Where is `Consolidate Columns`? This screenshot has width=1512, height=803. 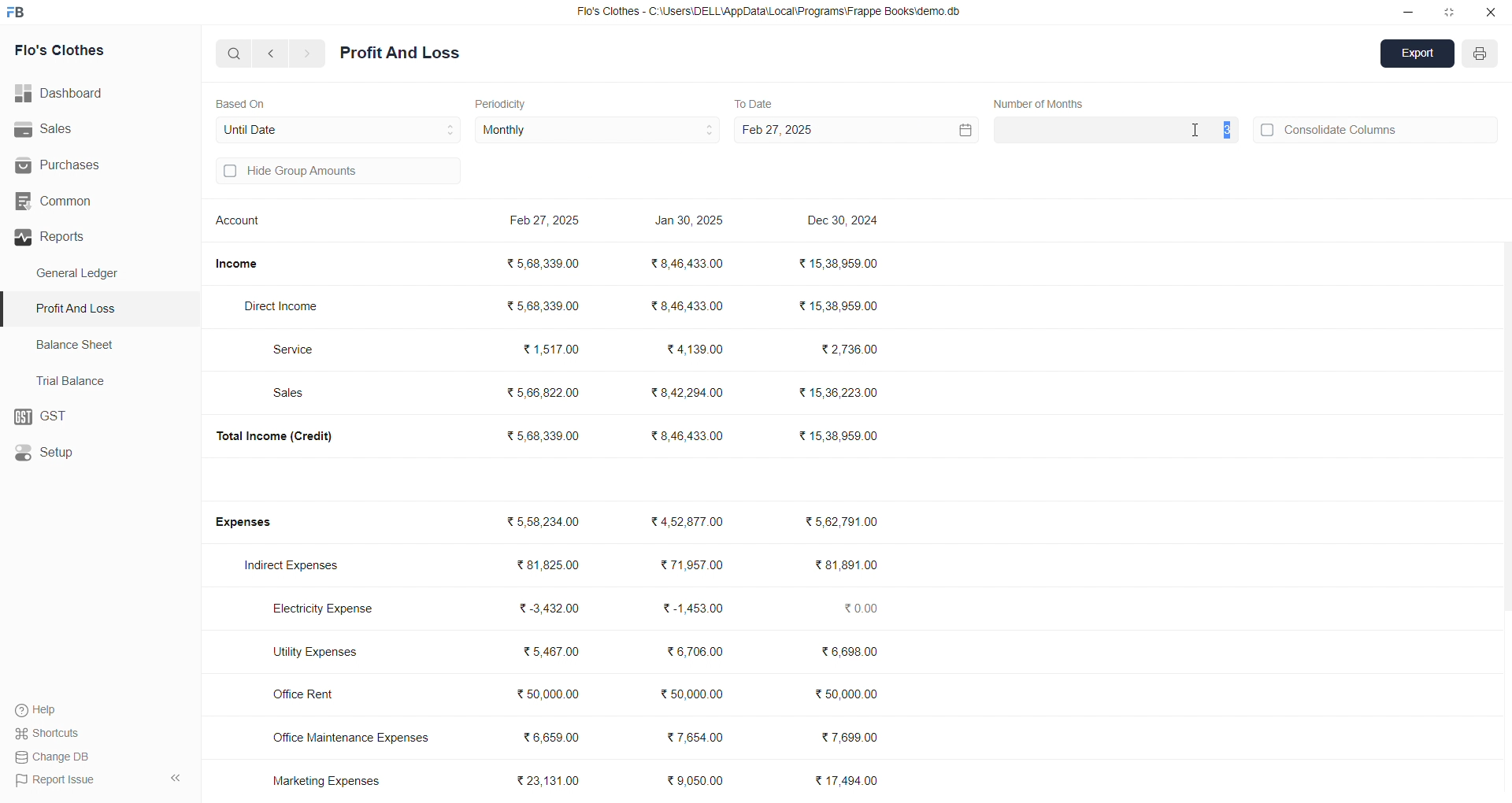
Consolidate Columns is located at coordinates (1377, 128).